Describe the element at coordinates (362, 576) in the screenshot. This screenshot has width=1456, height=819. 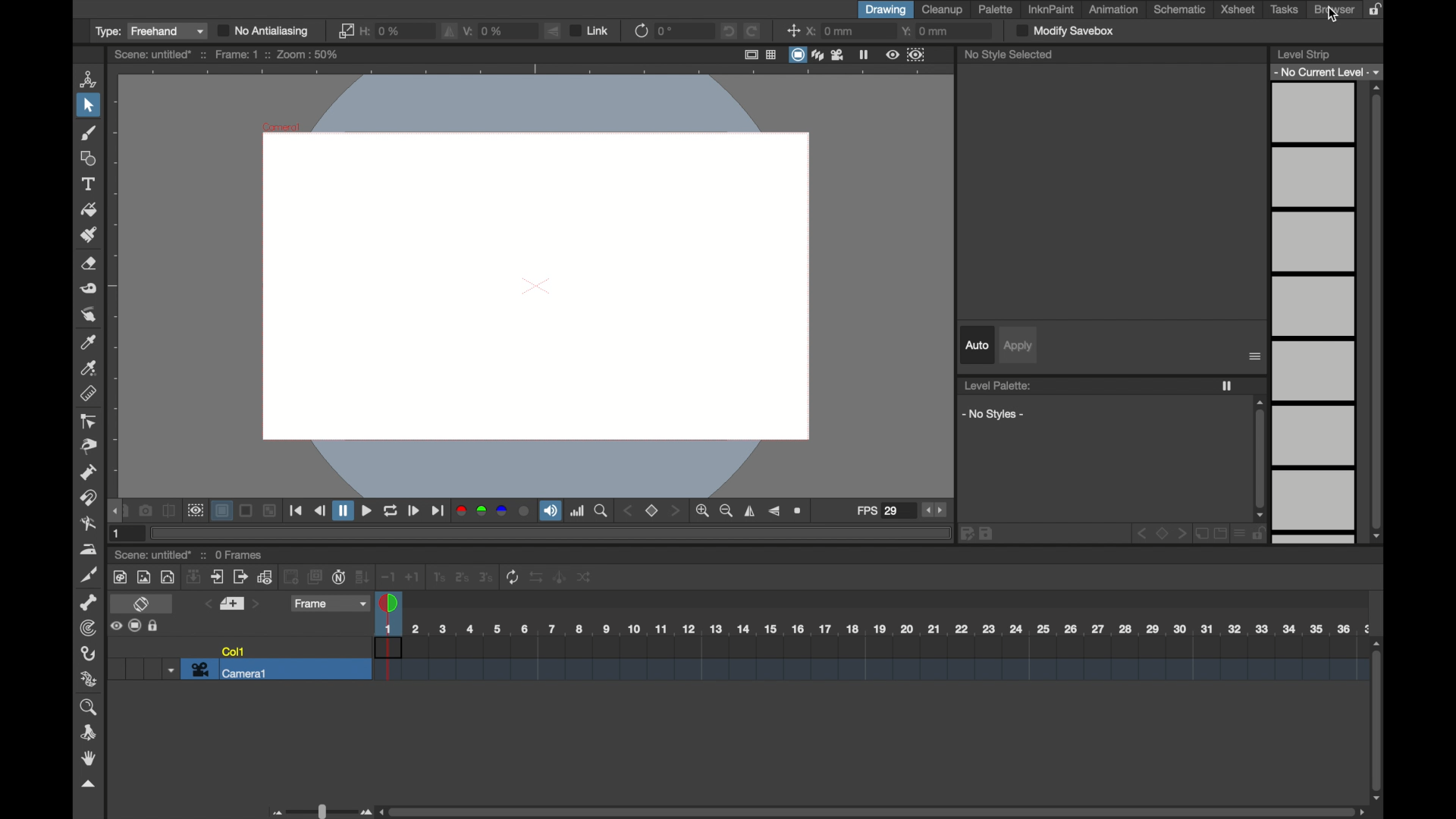
I see `down` at that location.